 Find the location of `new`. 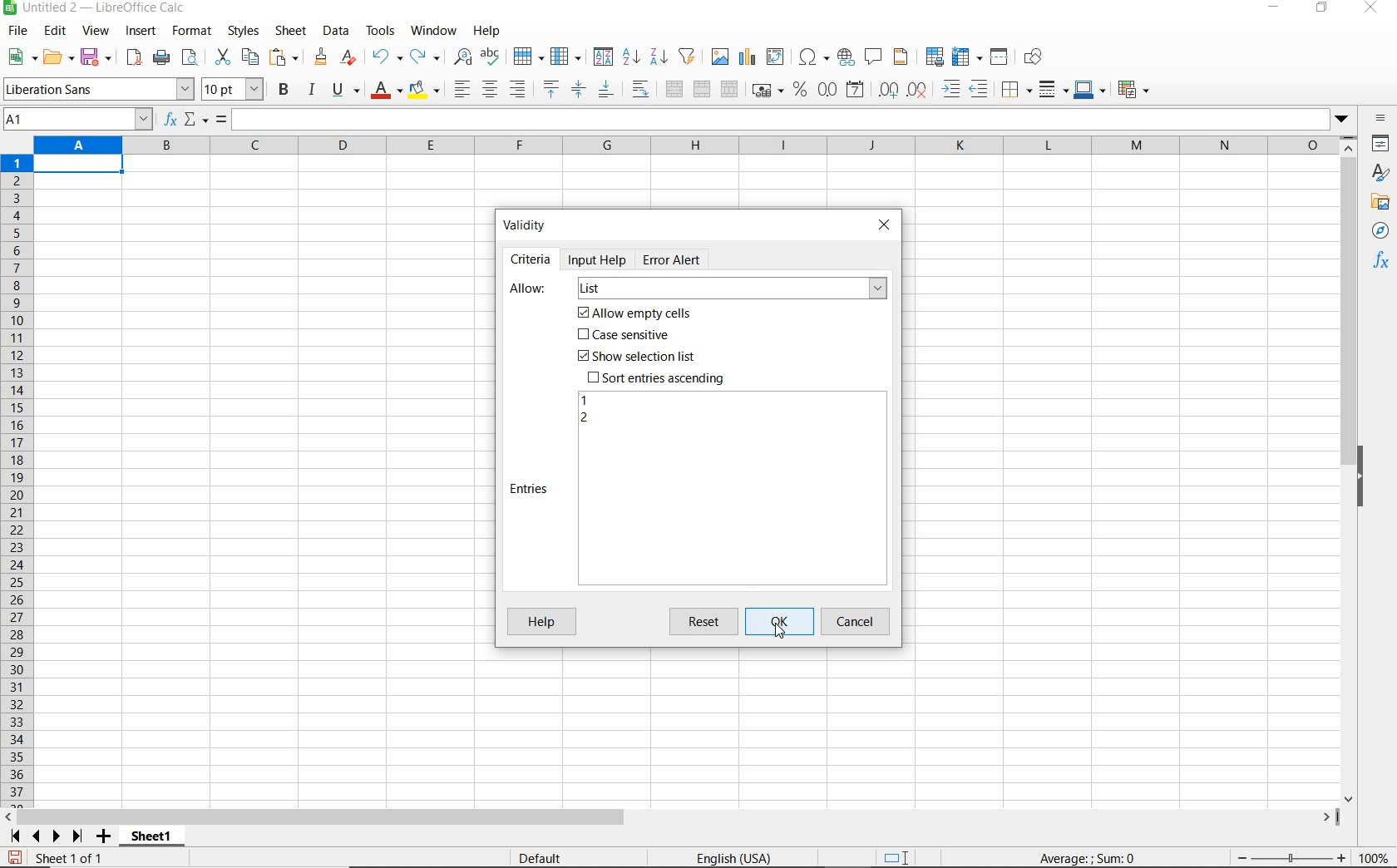

new is located at coordinates (22, 57).